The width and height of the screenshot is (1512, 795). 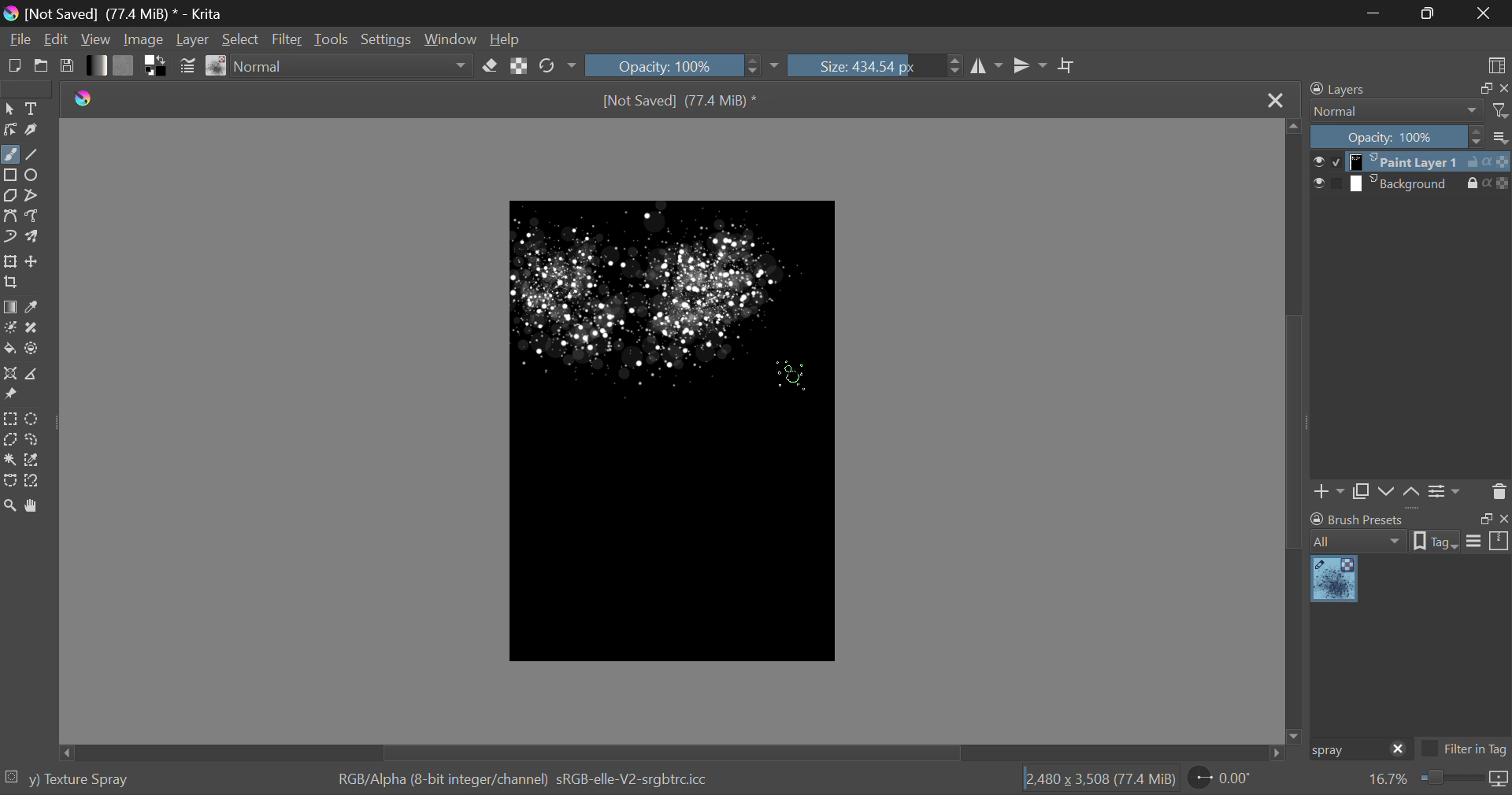 I want to click on Crop Layer, so click(x=13, y=283).